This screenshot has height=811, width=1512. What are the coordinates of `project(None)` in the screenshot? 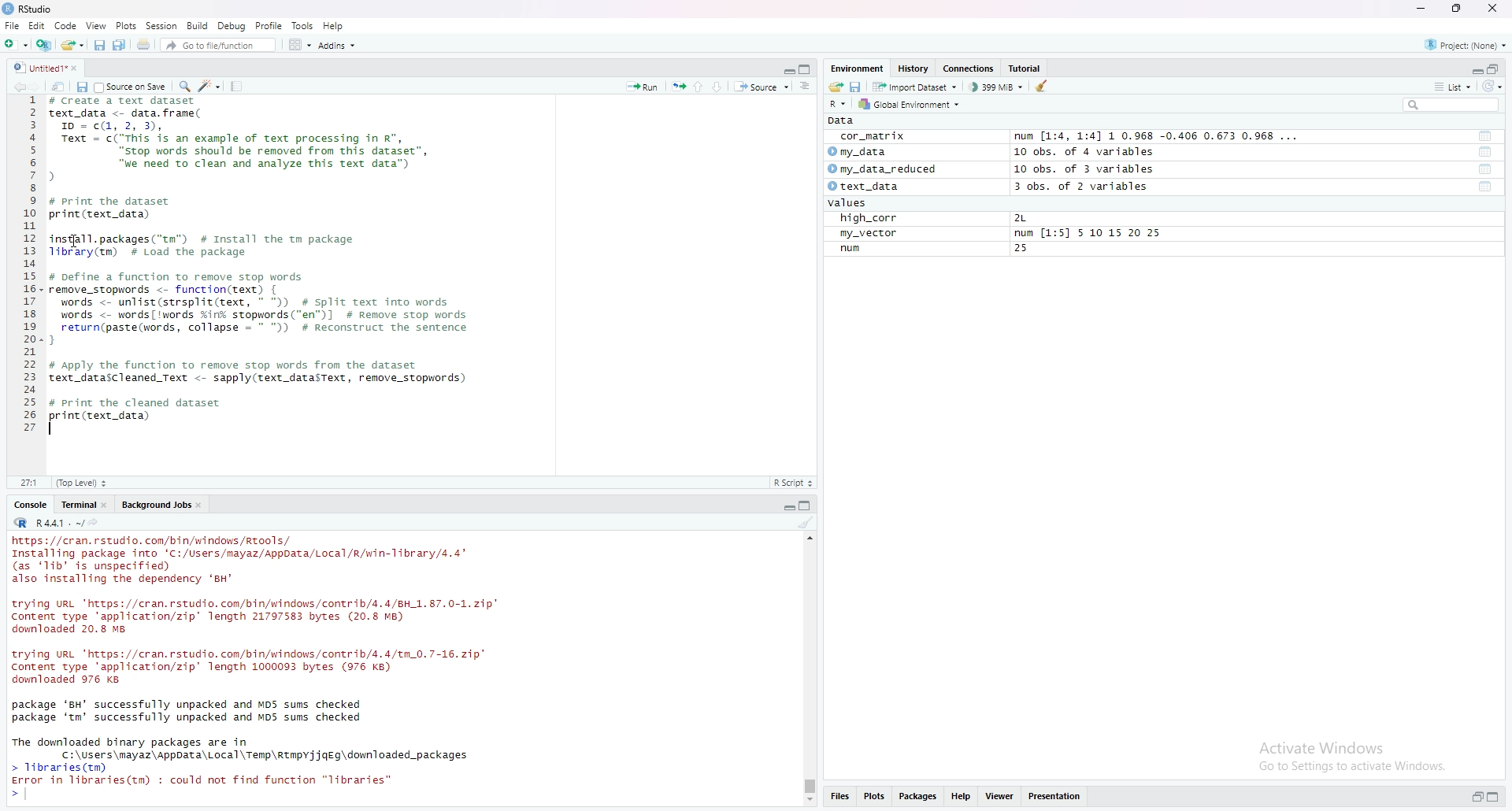 It's located at (1466, 45).